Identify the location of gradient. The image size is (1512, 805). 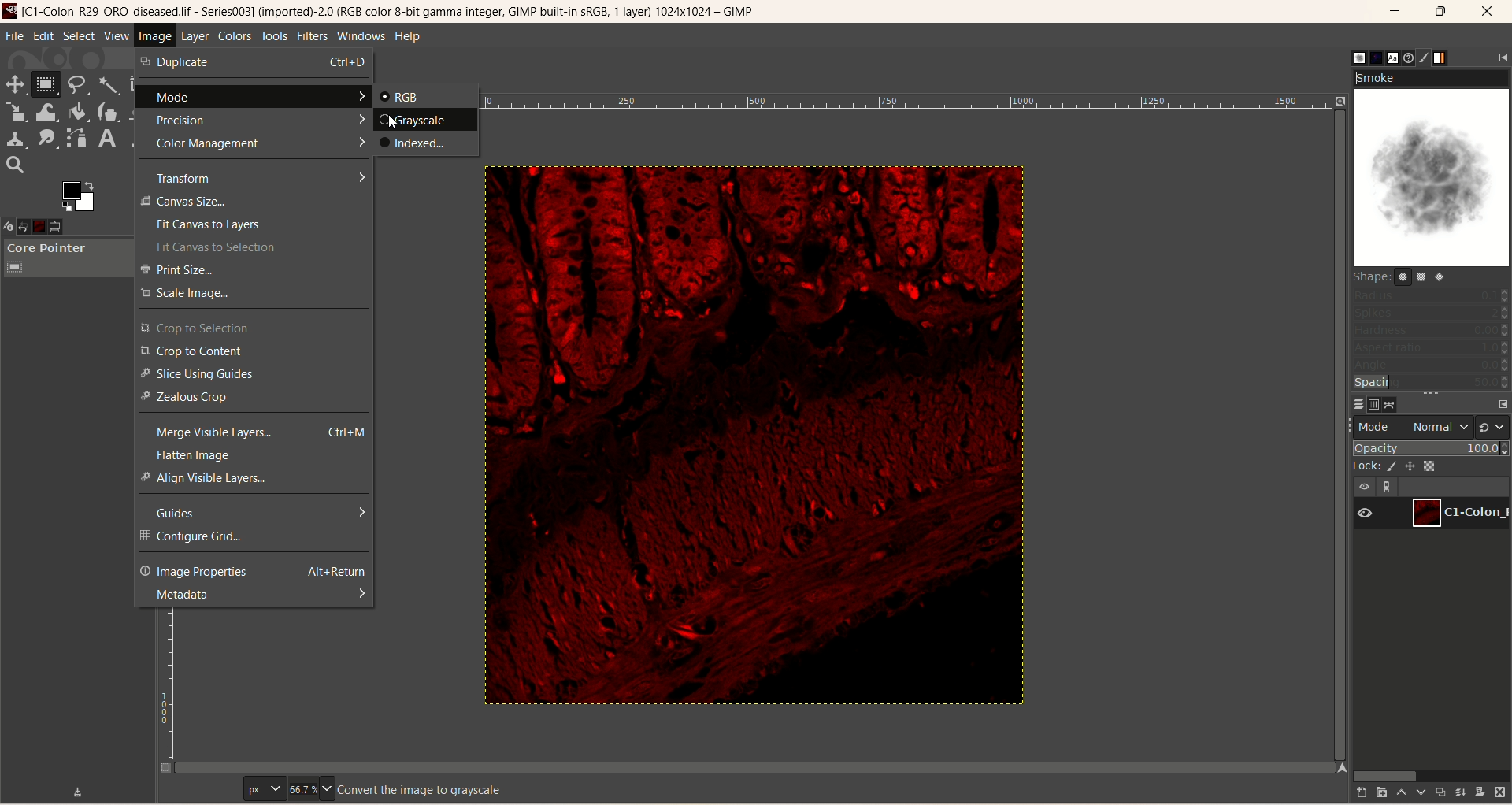
(1441, 58).